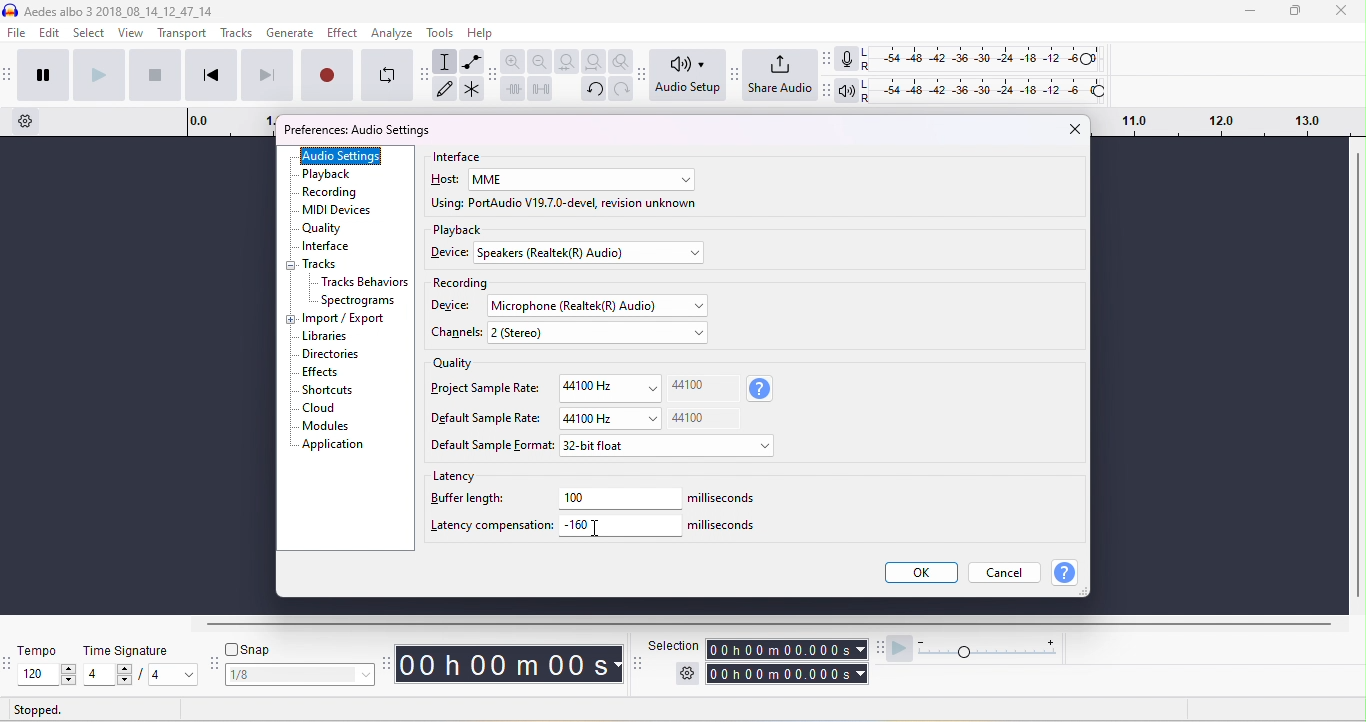 The image size is (1366, 722). I want to click on R, so click(869, 98).